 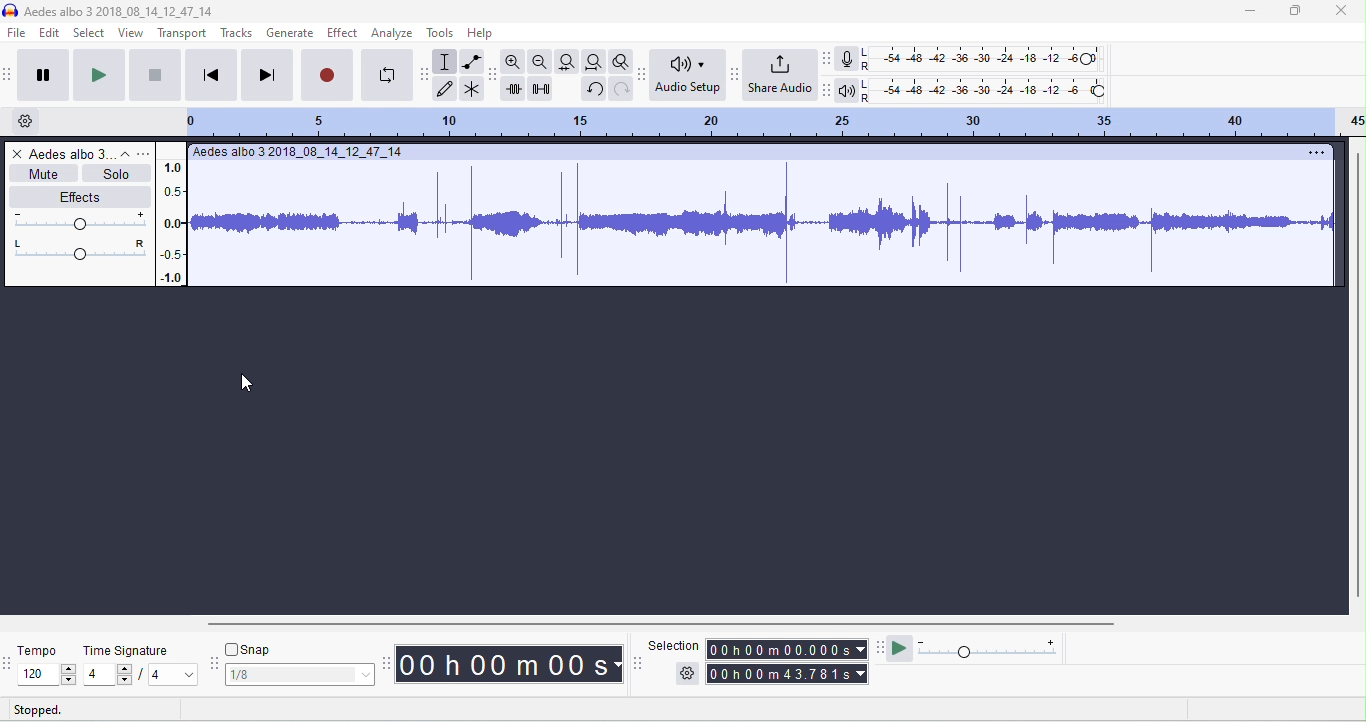 I want to click on horizontal scroll bar, so click(x=643, y=625).